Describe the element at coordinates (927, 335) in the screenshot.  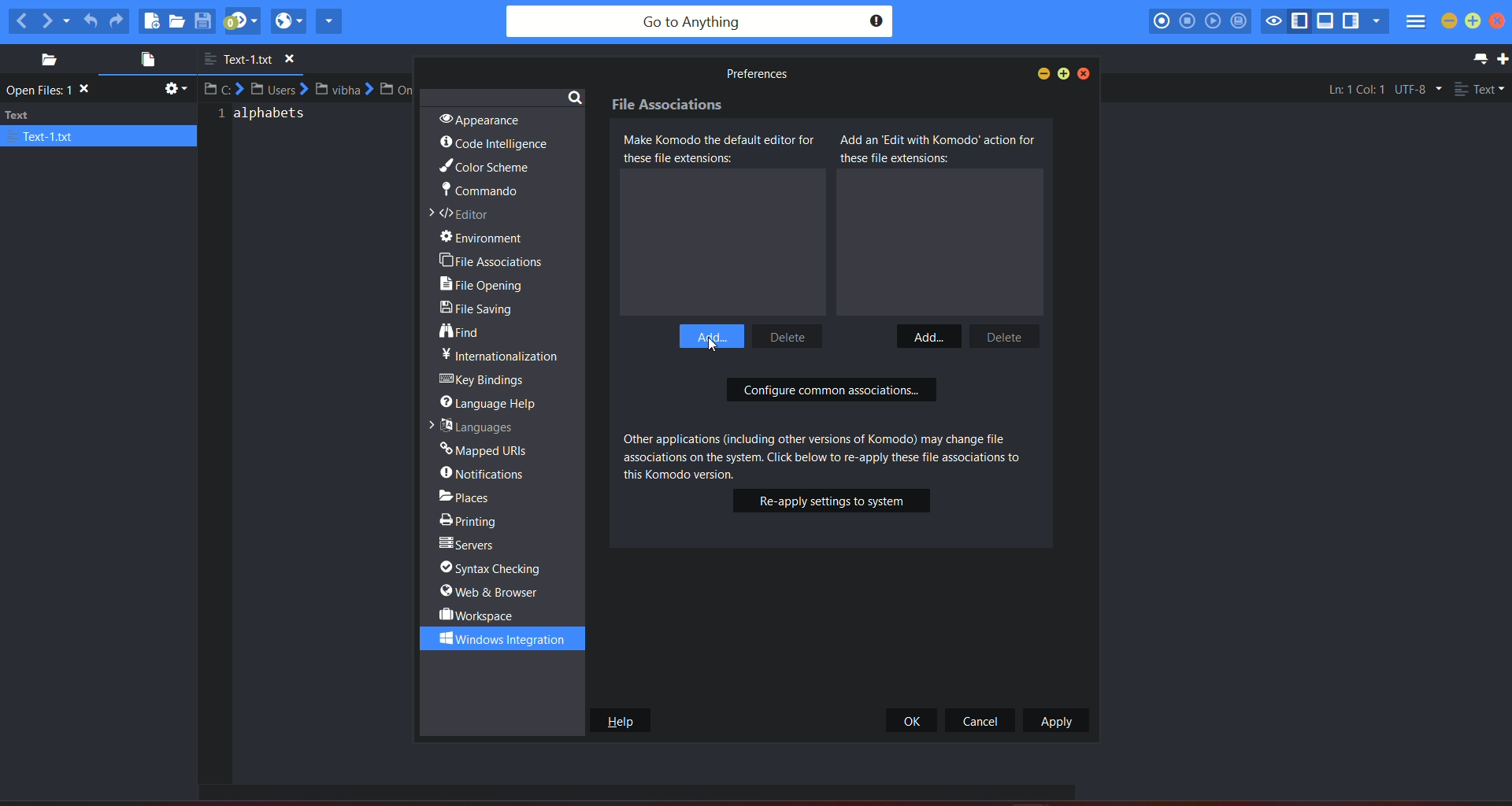
I see `add` at that location.